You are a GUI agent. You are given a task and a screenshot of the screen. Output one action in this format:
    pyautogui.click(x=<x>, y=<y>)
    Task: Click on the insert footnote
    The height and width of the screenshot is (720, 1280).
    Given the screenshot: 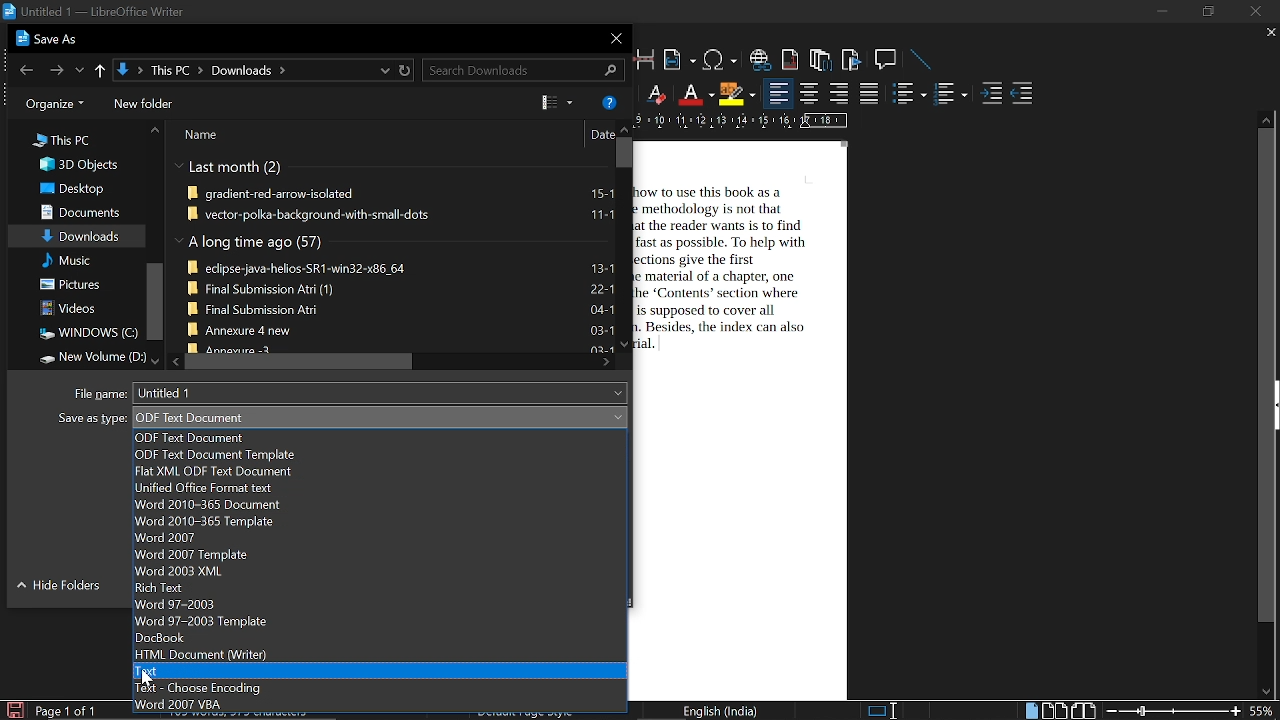 What is the action you would take?
    pyautogui.click(x=791, y=59)
    